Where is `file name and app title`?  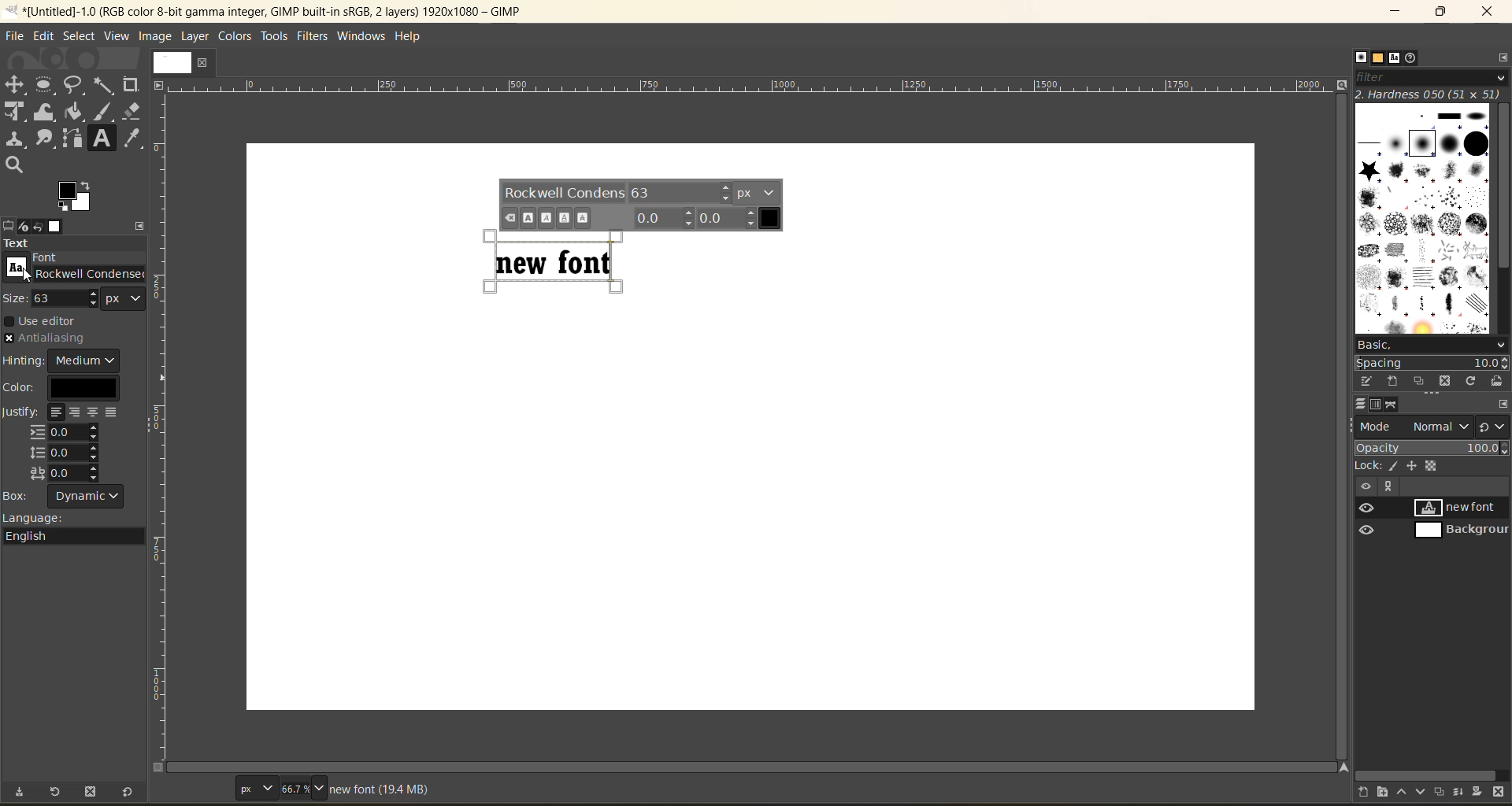
file name and app title is located at coordinates (298, 14).